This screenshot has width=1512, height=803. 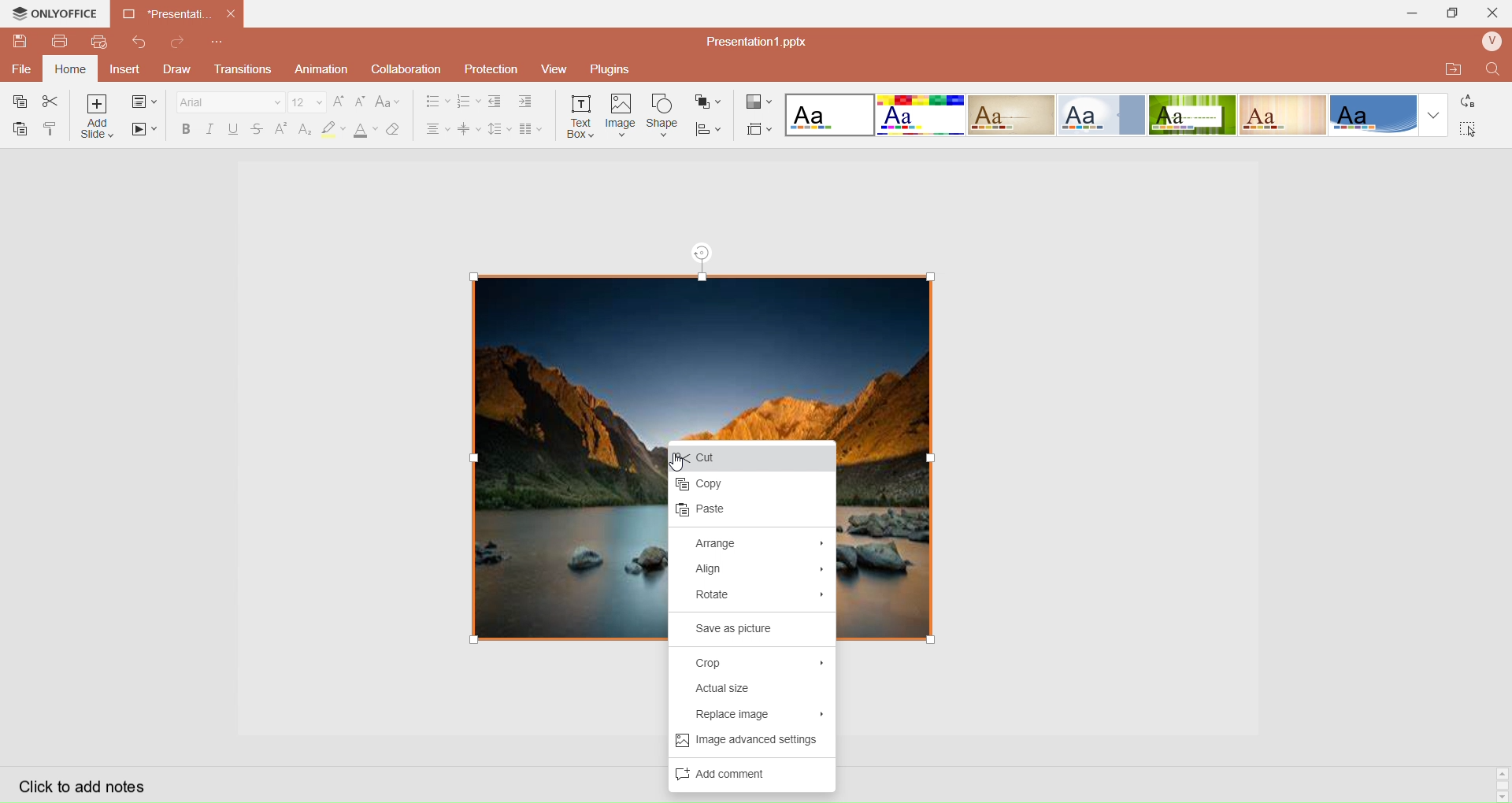 What do you see at coordinates (126, 71) in the screenshot?
I see `Insert` at bounding box center [126, 71].